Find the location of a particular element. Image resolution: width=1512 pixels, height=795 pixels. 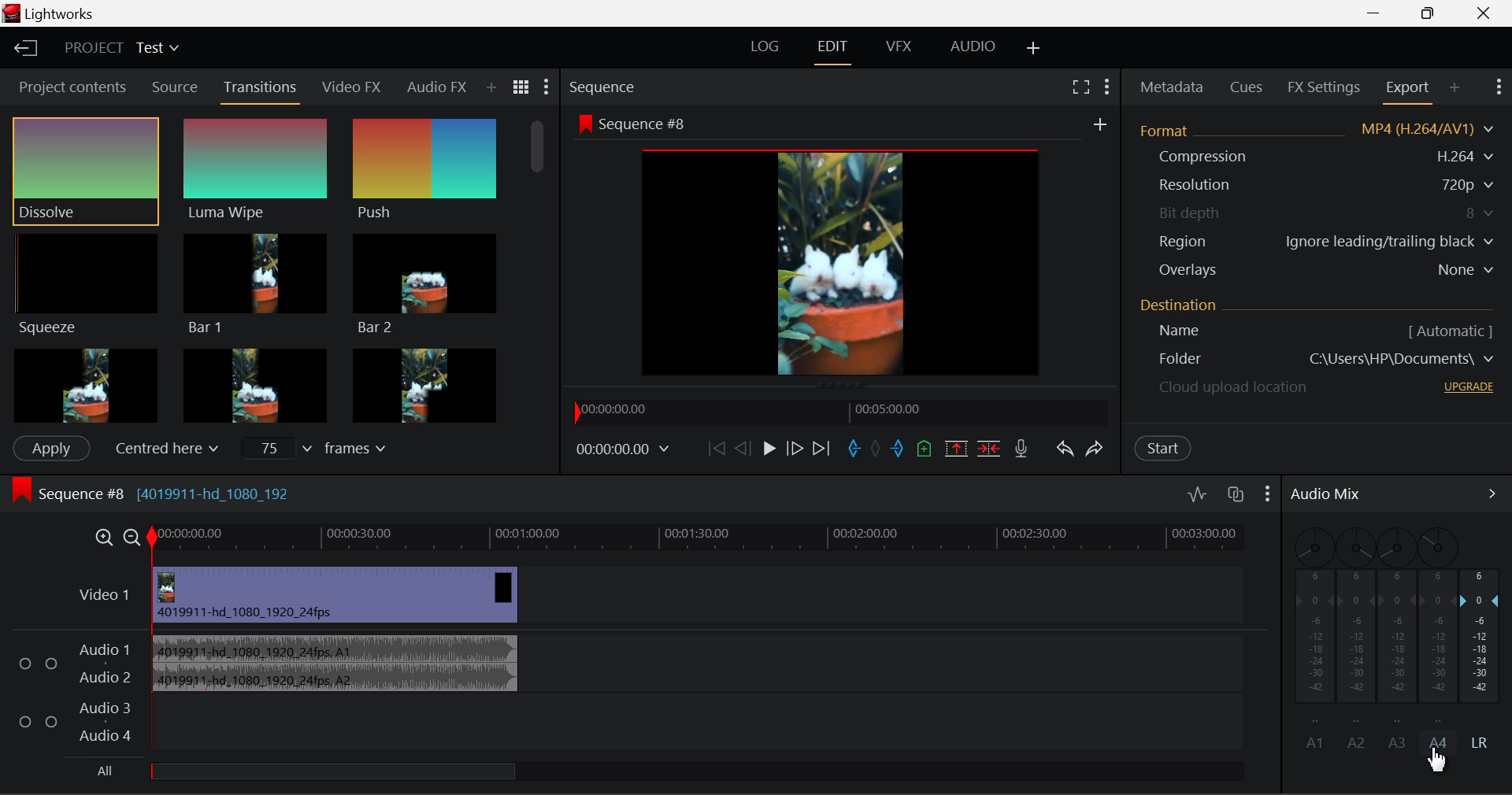

Bar 2 is located at coordinates (427, 287).